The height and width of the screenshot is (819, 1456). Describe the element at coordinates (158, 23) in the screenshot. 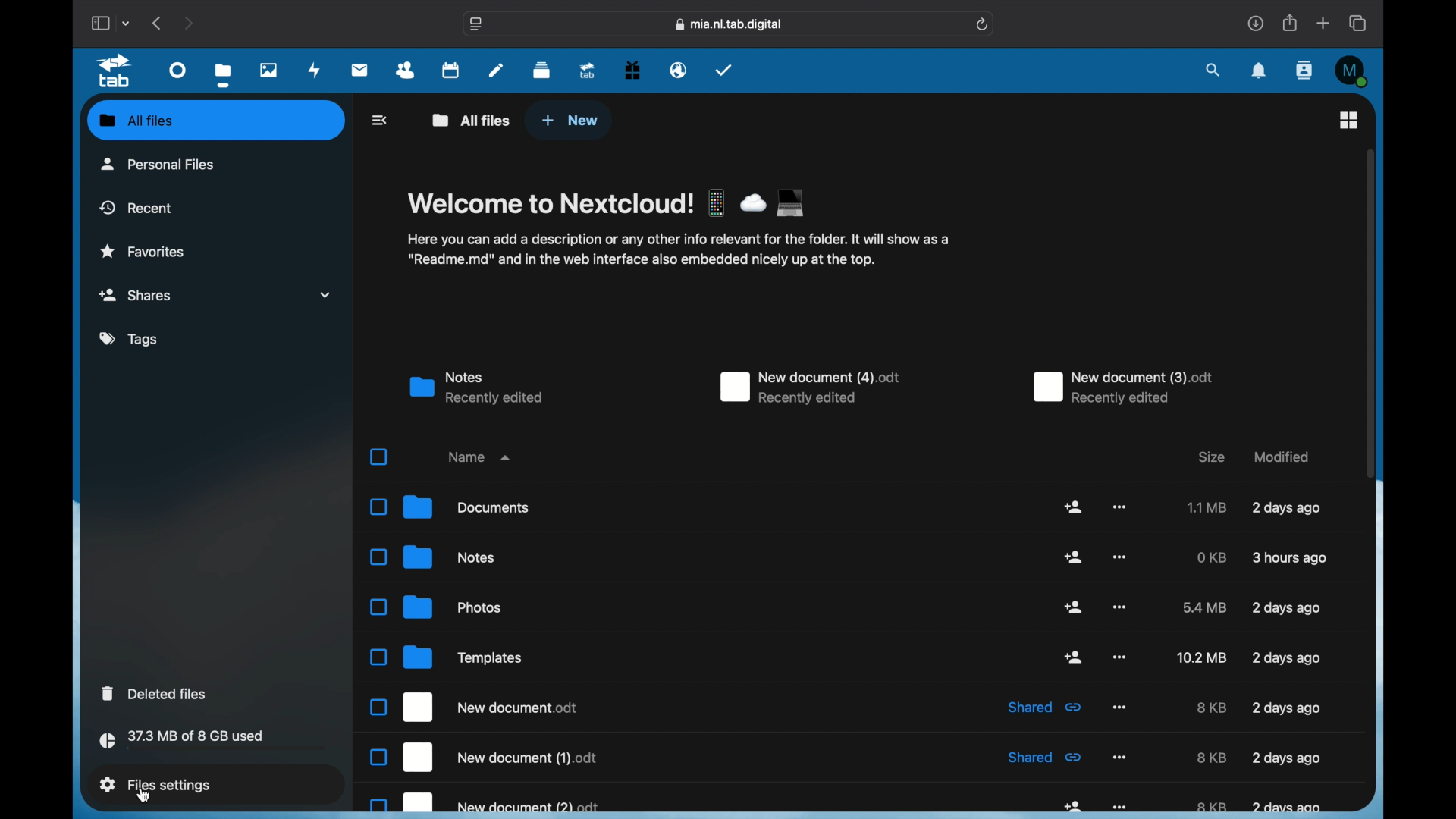

I see `previous` at that location.